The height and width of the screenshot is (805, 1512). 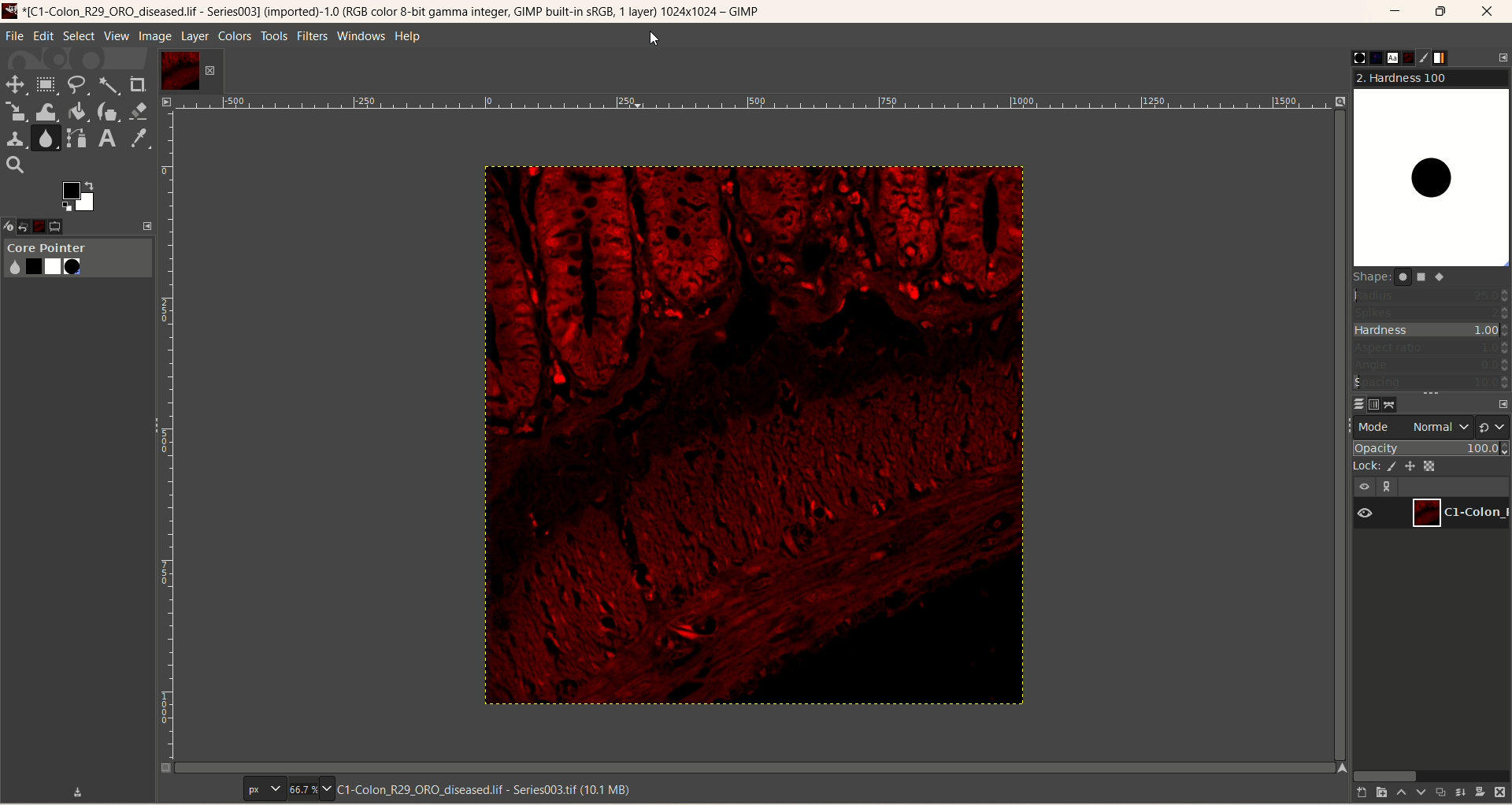 What do you see at coordinates (192, 789) in the screenshot?
I see `coordinates` at bounding box center [192, 789].